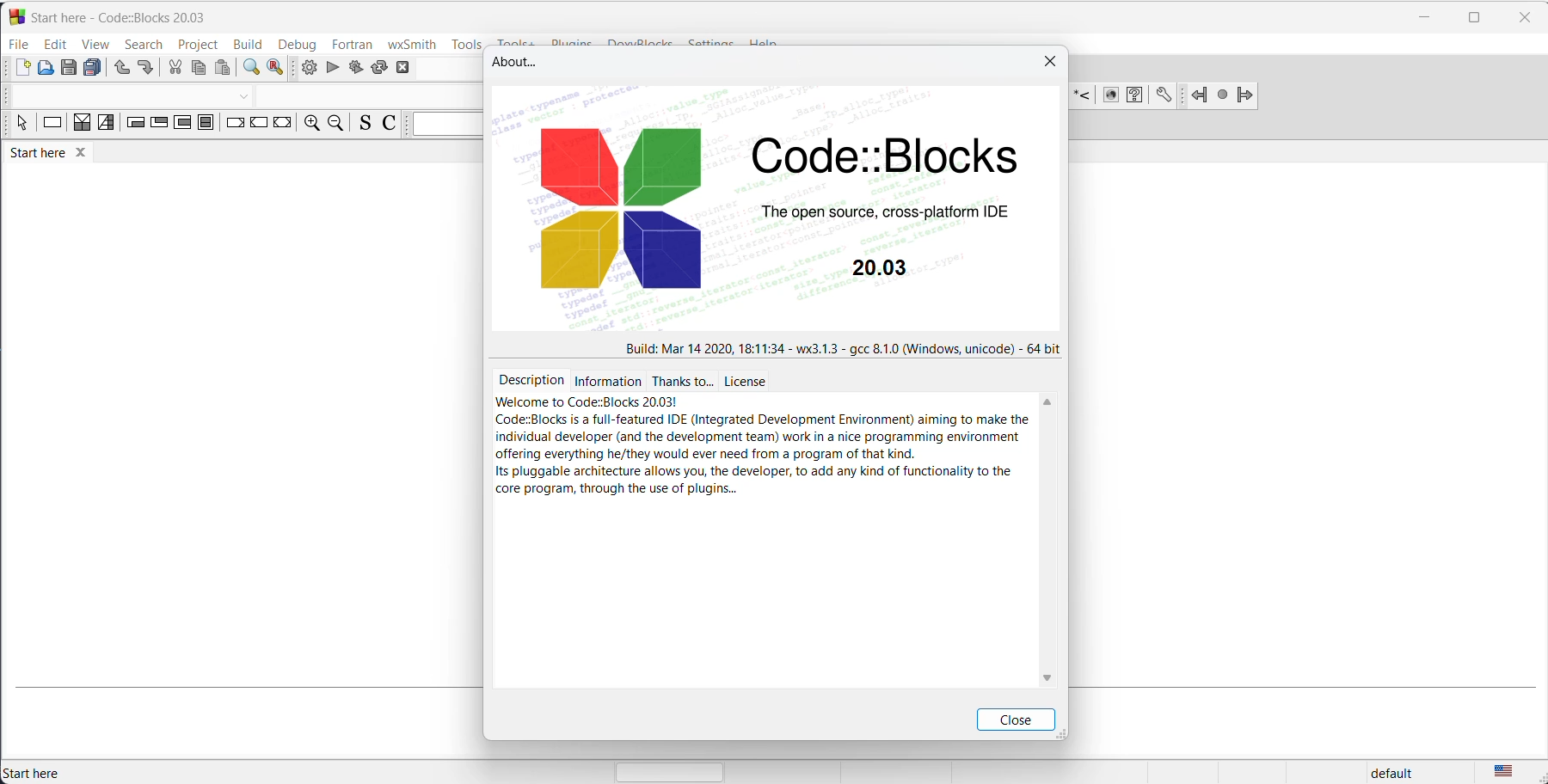  Describe the element at coordinates (161, 126) in the screenshot. I see `exit condition loop` at that location.